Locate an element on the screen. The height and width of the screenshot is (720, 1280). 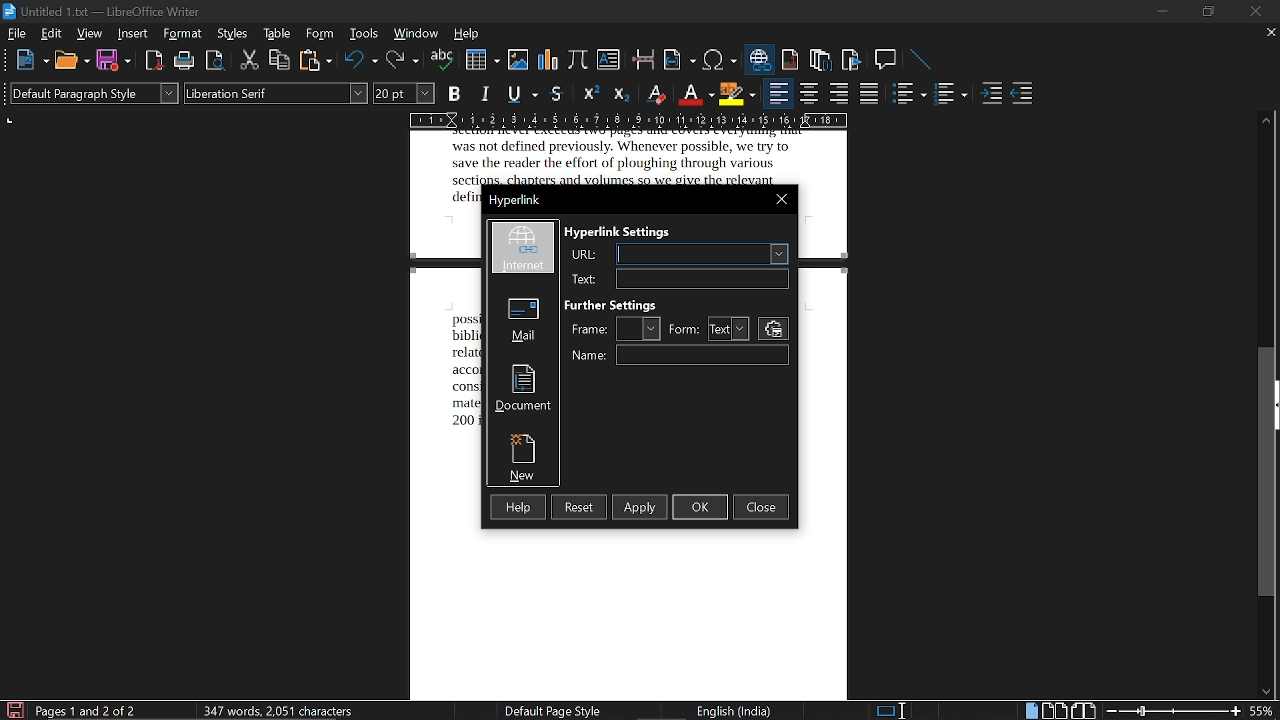
Url is located at coordinates (582, 279).